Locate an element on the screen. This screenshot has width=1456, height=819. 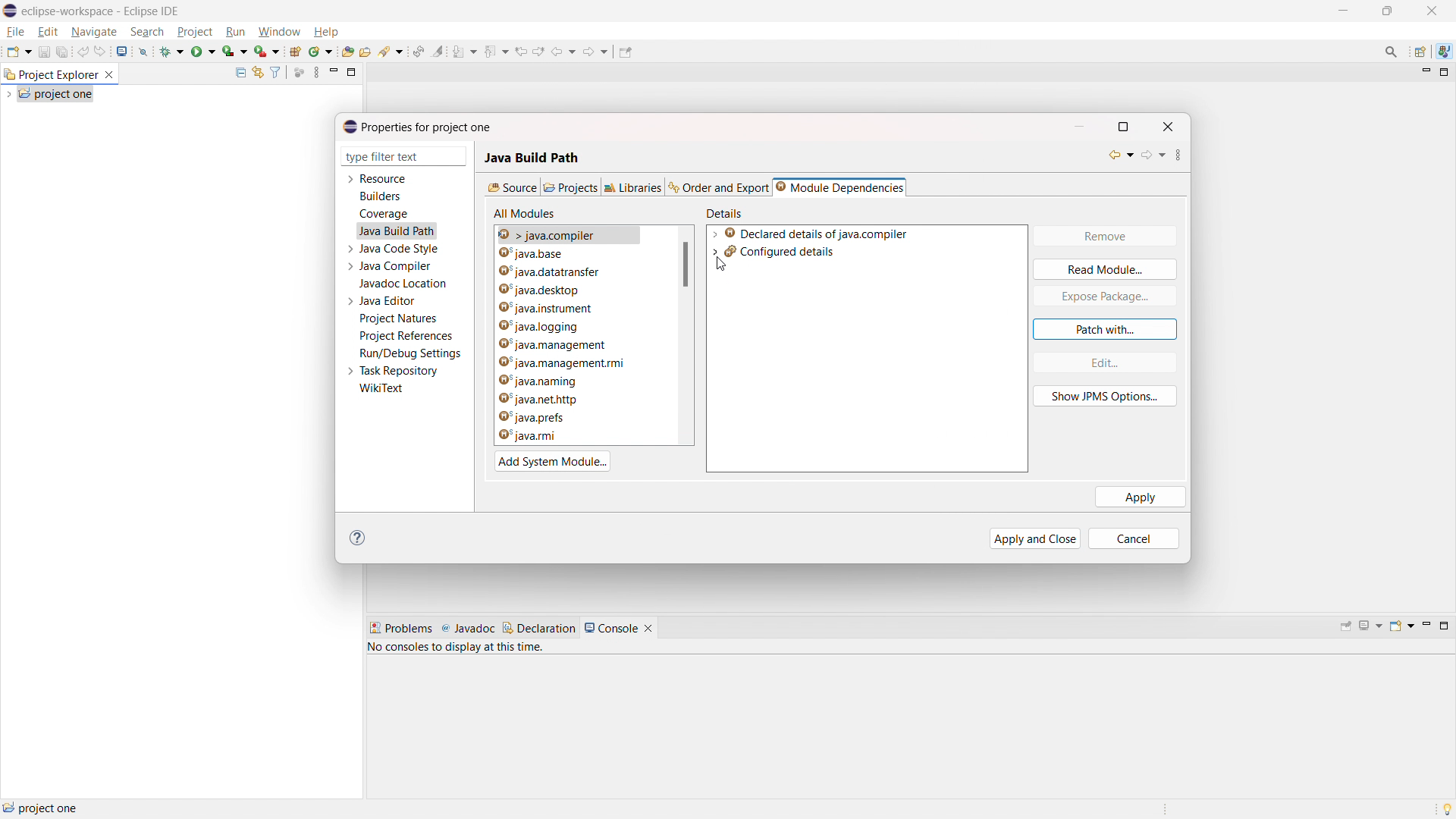
patch with is located at coordinates (1105, 329).